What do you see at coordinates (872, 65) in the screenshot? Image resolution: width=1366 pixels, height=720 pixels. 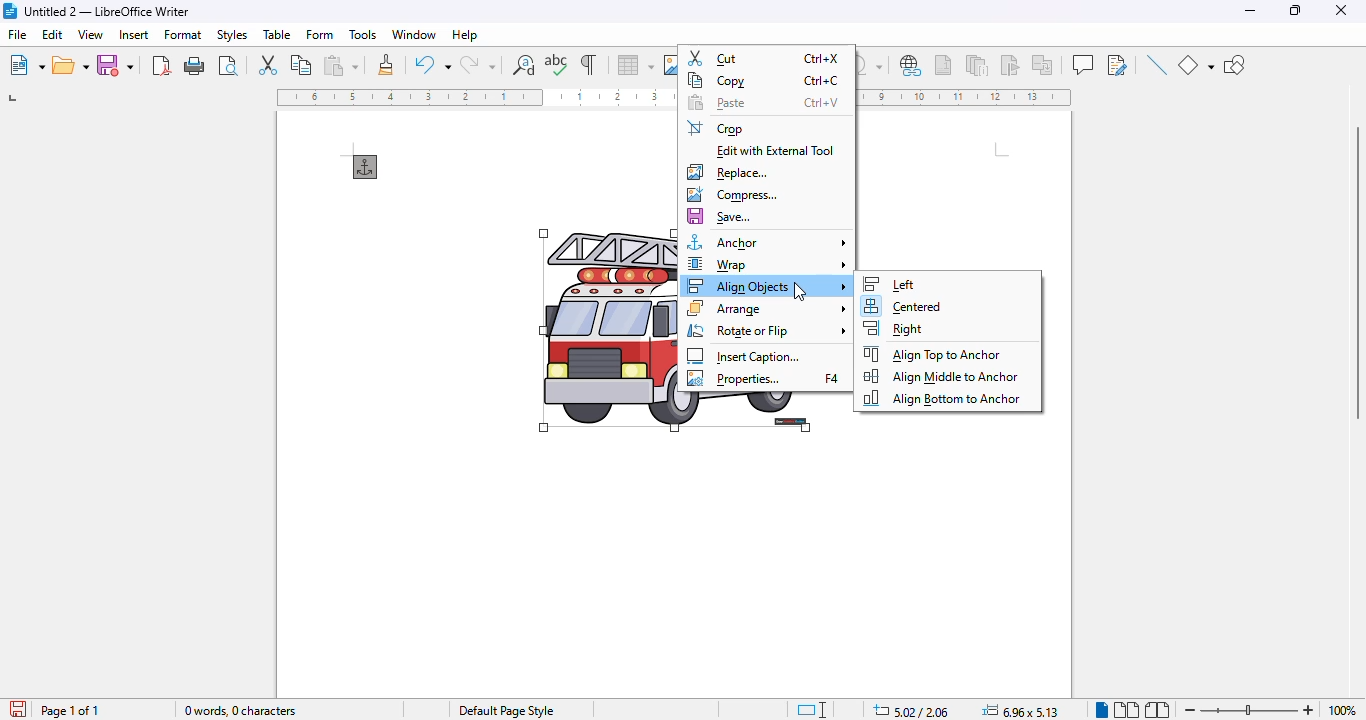 I see `insert special characters` at bounding box center [872, 65].